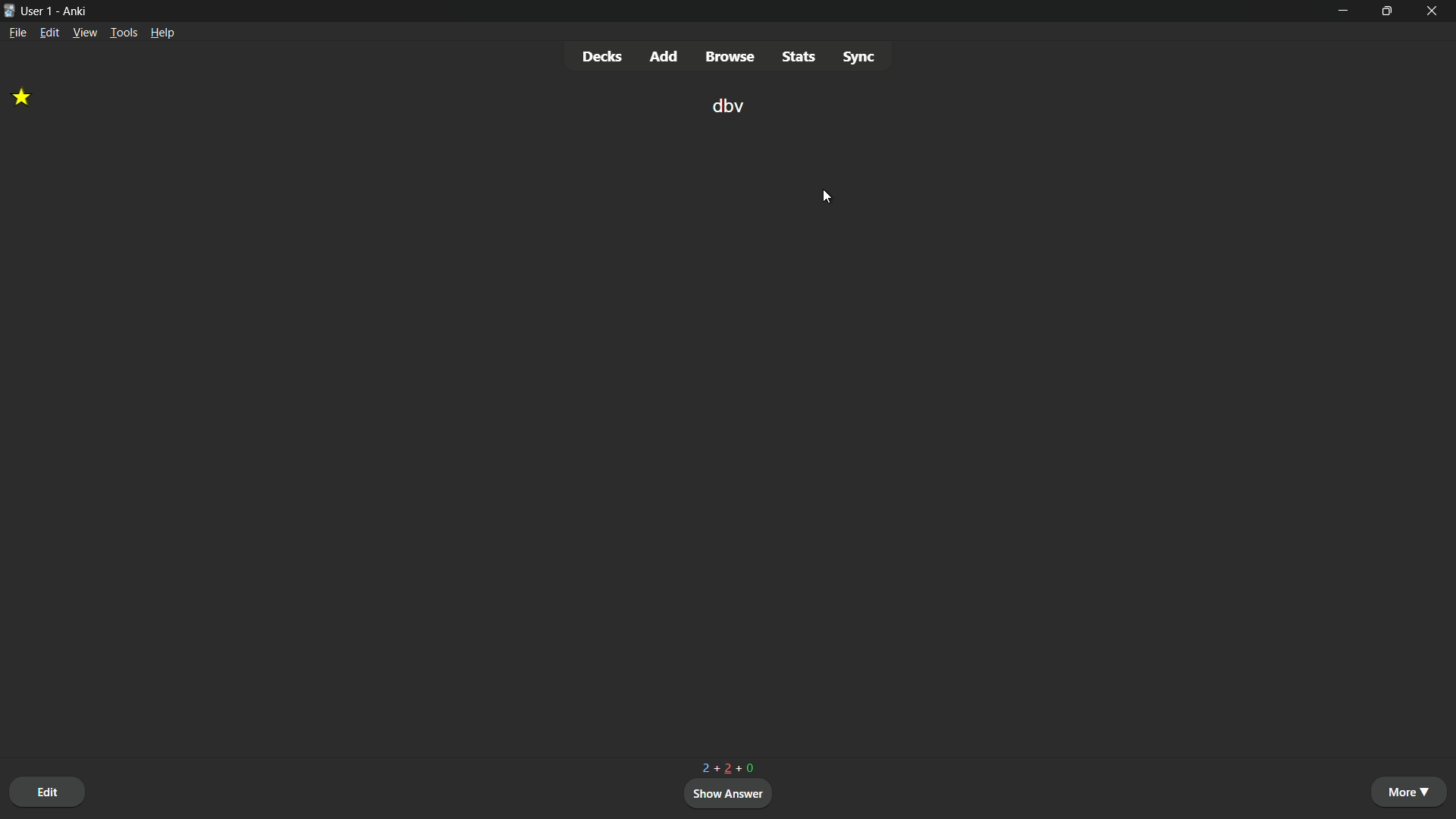 This screenshot has height=819, width=1456. What do you see at coordinates (51, 32) in the screenshot?
I see `edit` at bounding box center [51, 32].